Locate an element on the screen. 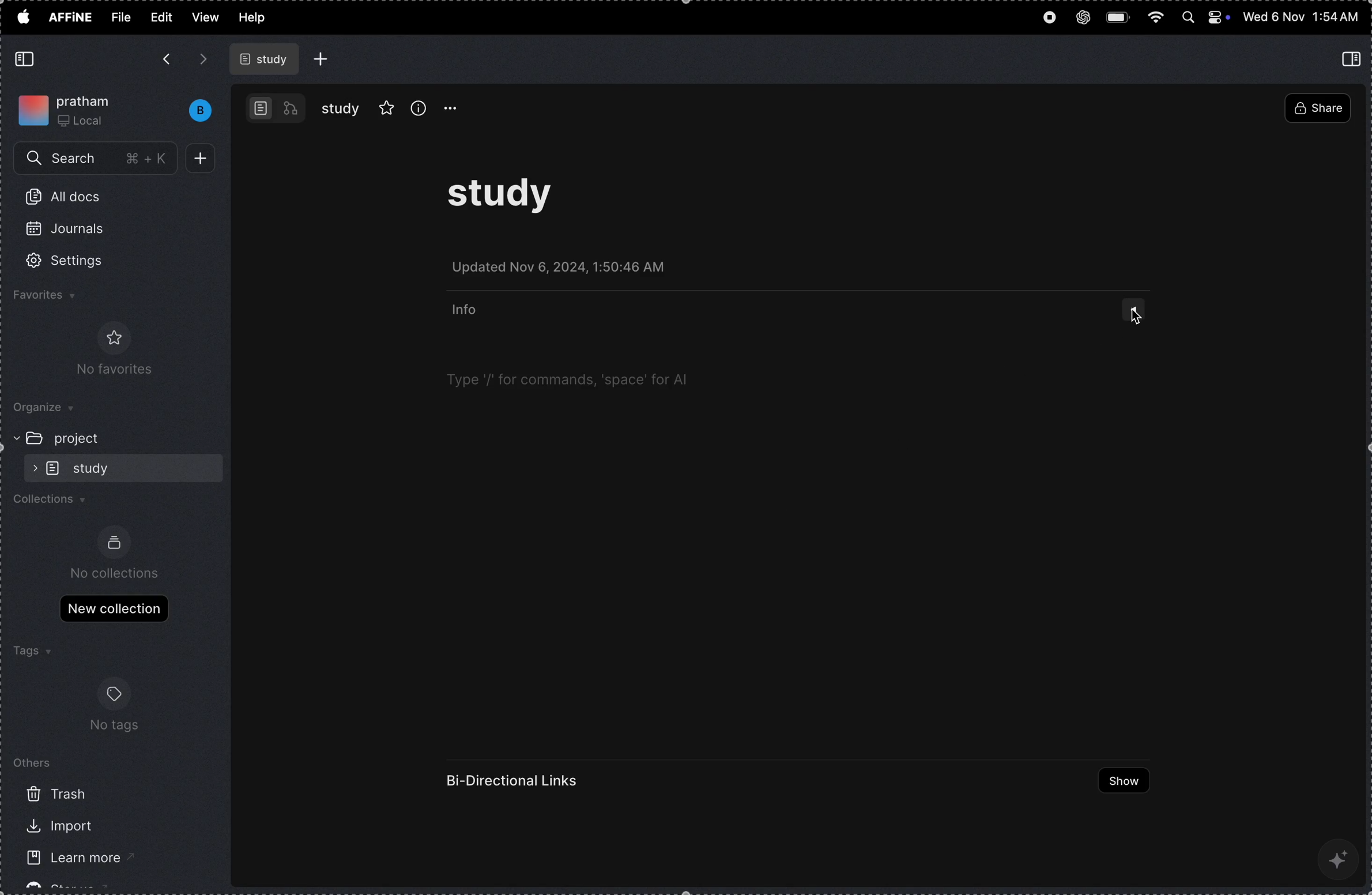 The width and height of the screenshot is (1372, 895). tags logo is located at coordinates (112, 695).